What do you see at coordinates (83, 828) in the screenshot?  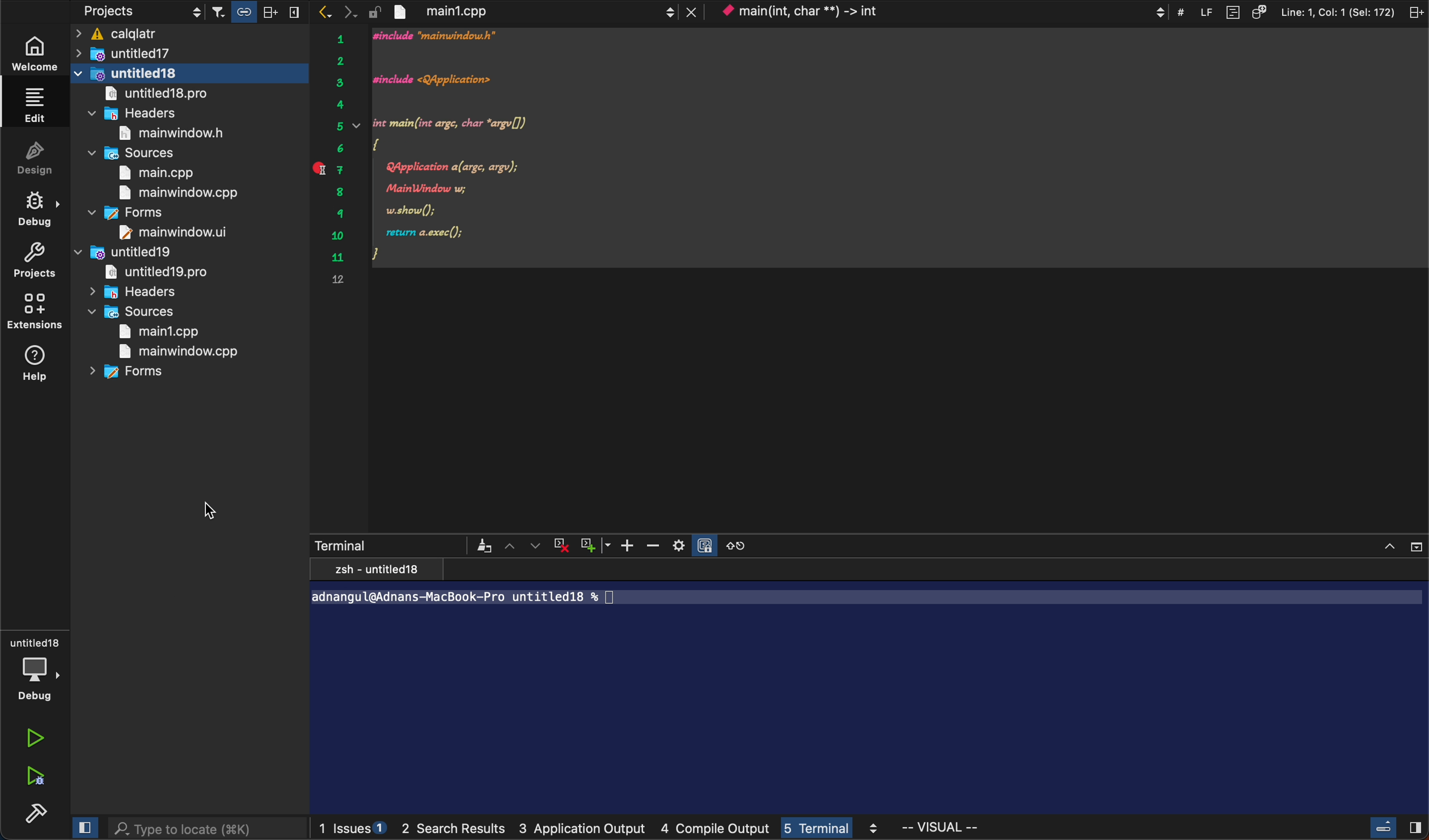 I see `close slide bar` at bounding box center [83, 828].